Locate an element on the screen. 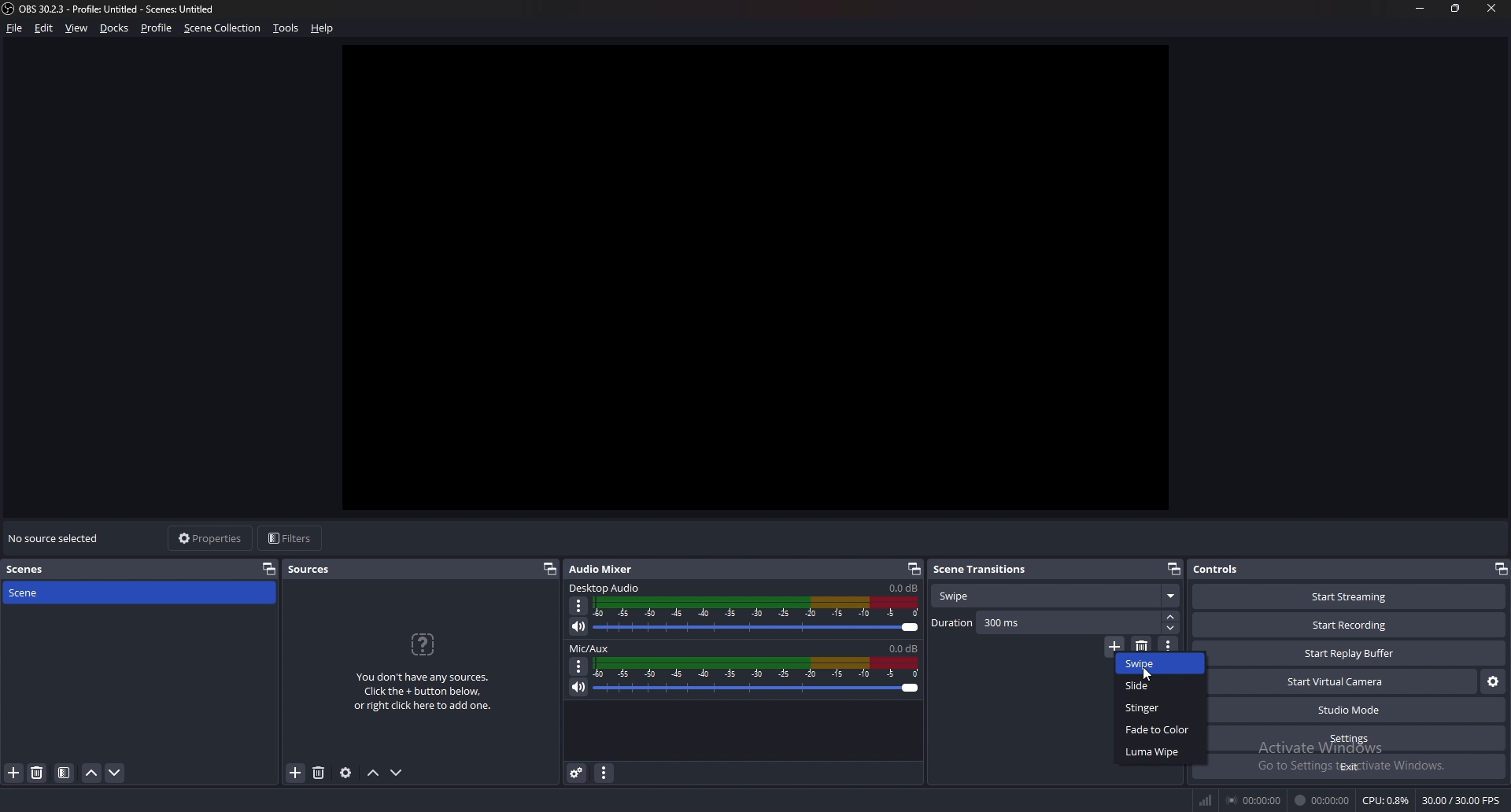 Image resolution: width=1511 pixels, height=812 pixels. profile is located at coordinates (158, 28).